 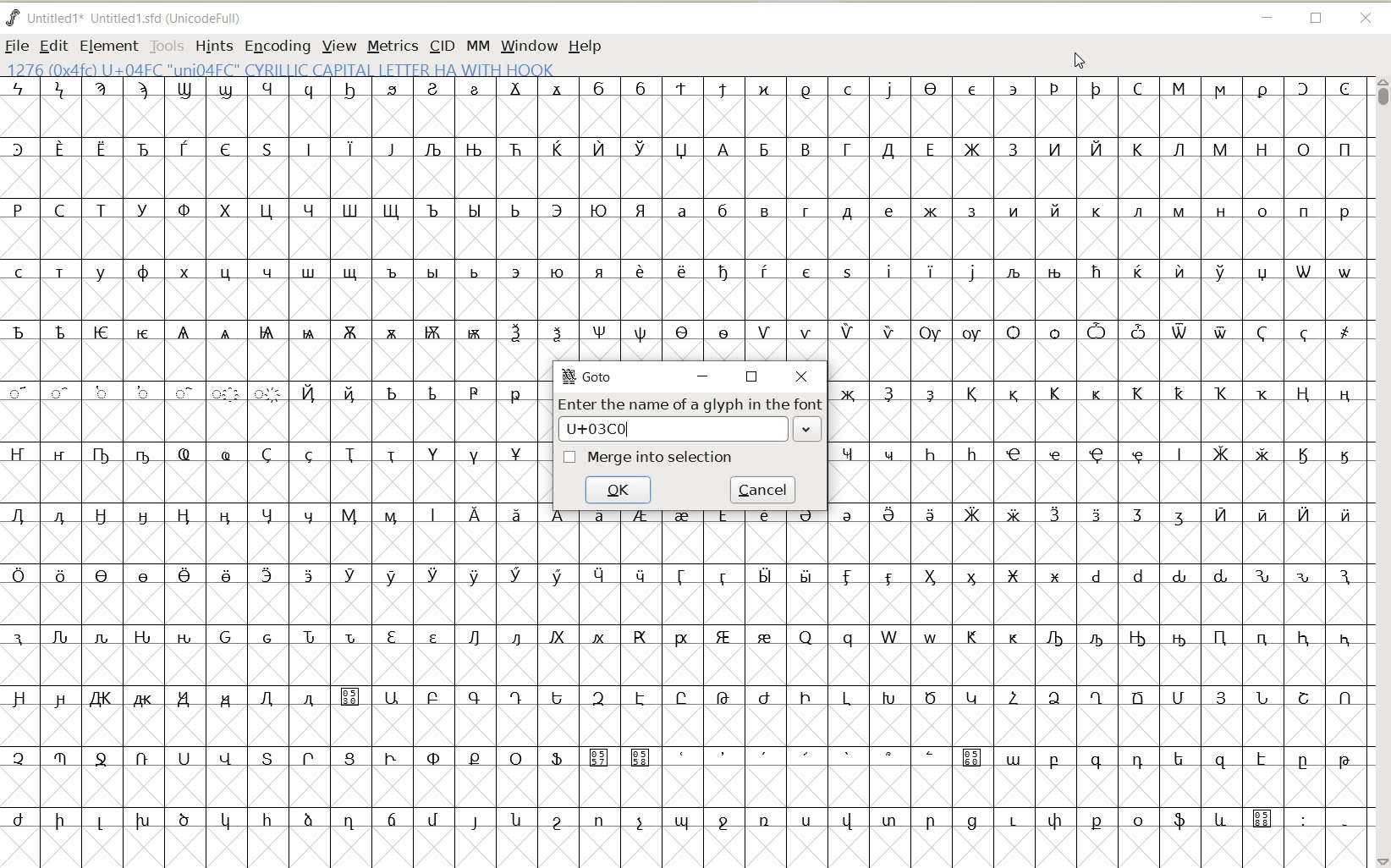 I want to click on EDIT, so click(x=53, y=46).